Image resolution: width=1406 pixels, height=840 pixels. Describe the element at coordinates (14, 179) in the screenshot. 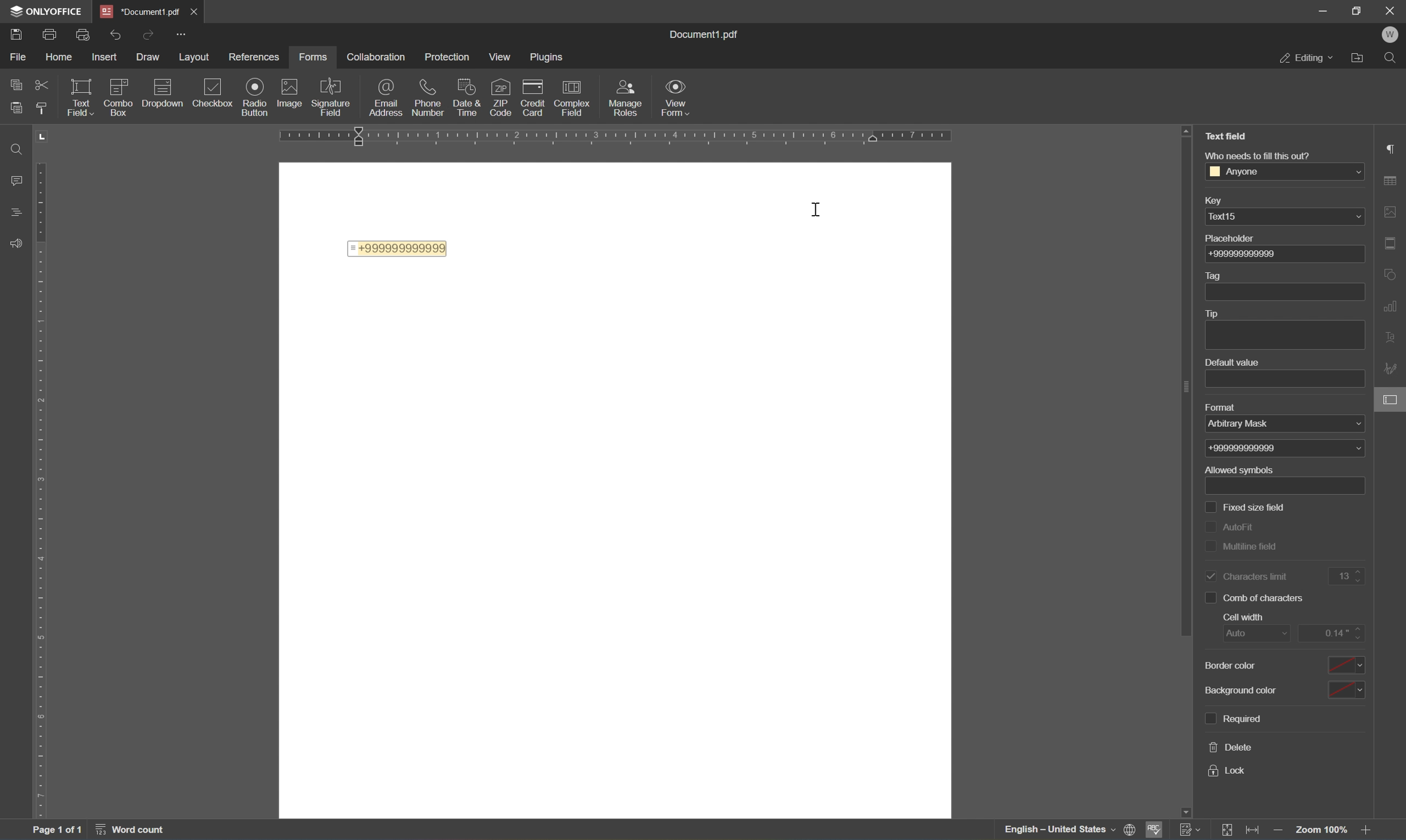

I see `comments` at that location.